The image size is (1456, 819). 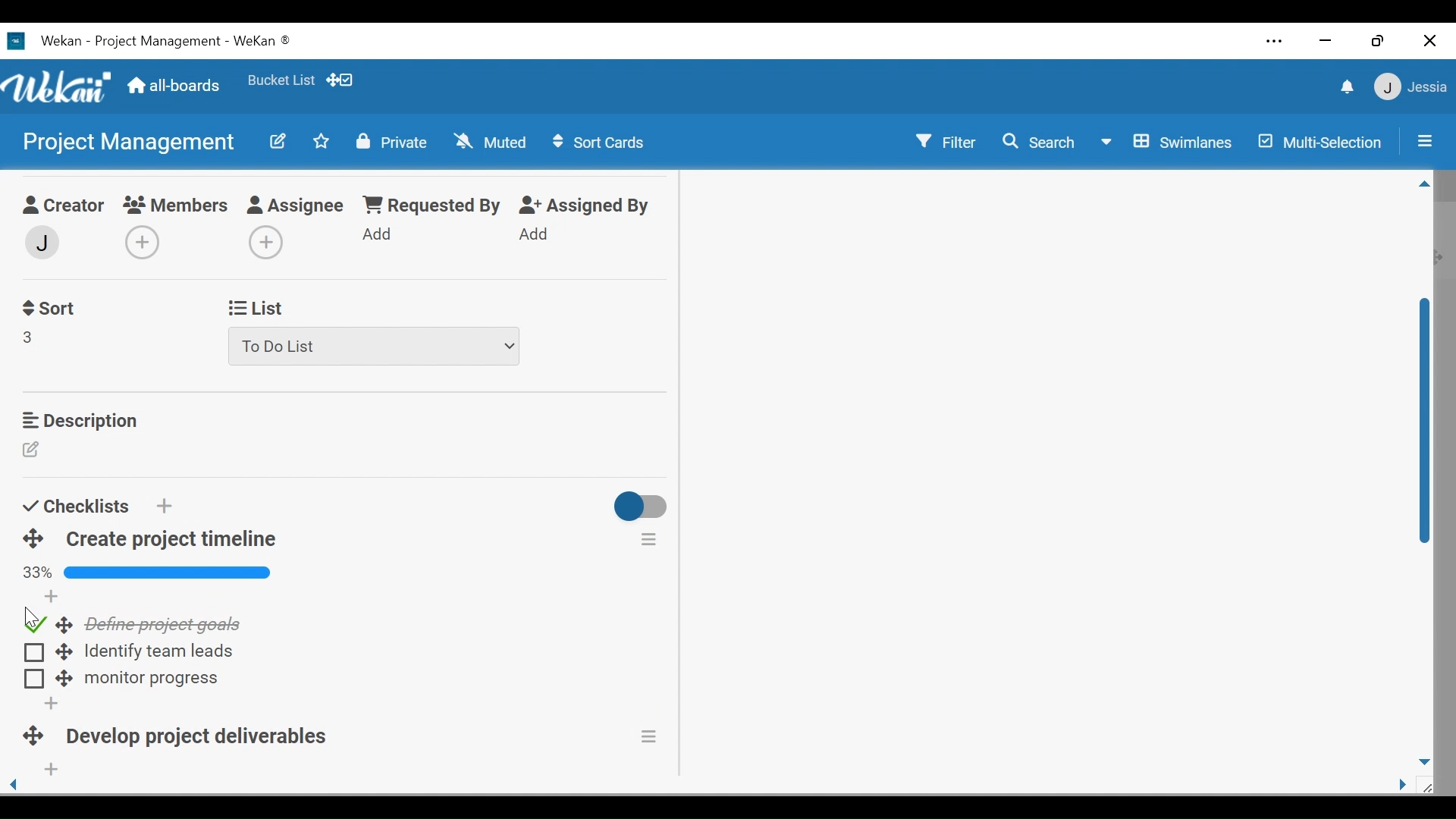 I want to click on Multi-Selection, so click(x=1317, y=142).